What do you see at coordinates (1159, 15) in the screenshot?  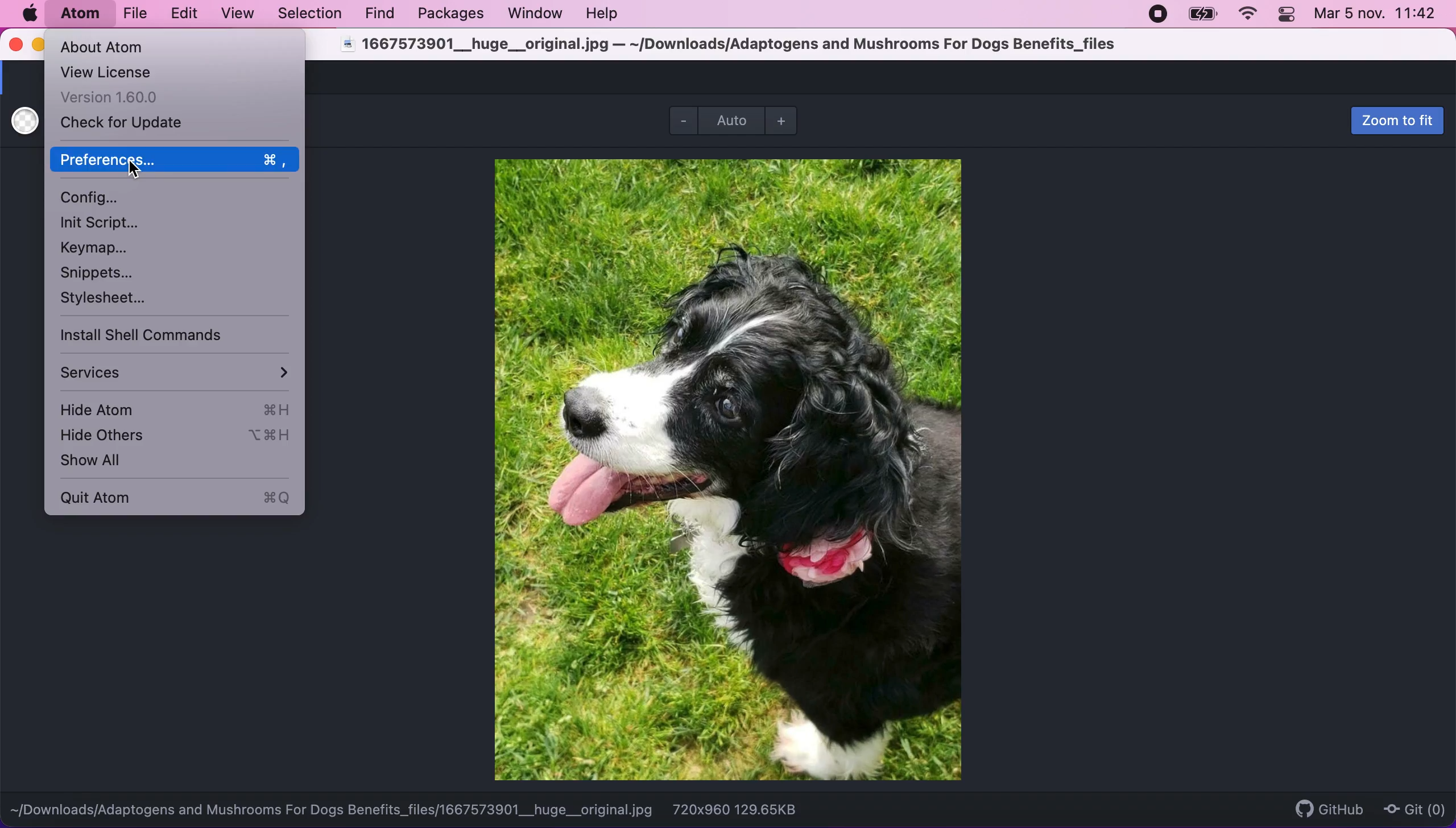 I see `recording stopped` at bounding box center [1159, 15].